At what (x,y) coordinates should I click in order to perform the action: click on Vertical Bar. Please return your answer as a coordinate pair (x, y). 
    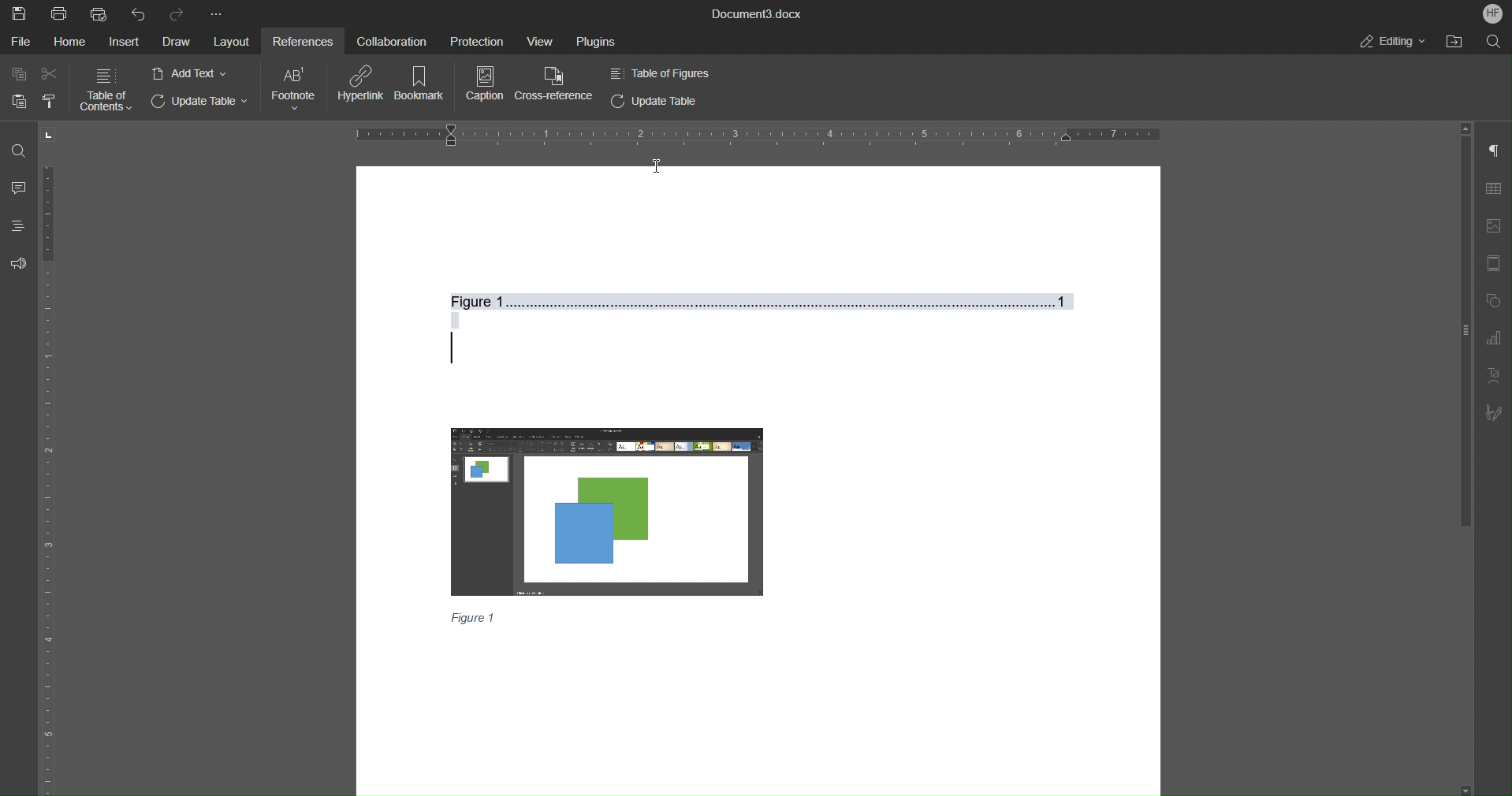
    Looking at the image, I should click on (1462, 325).